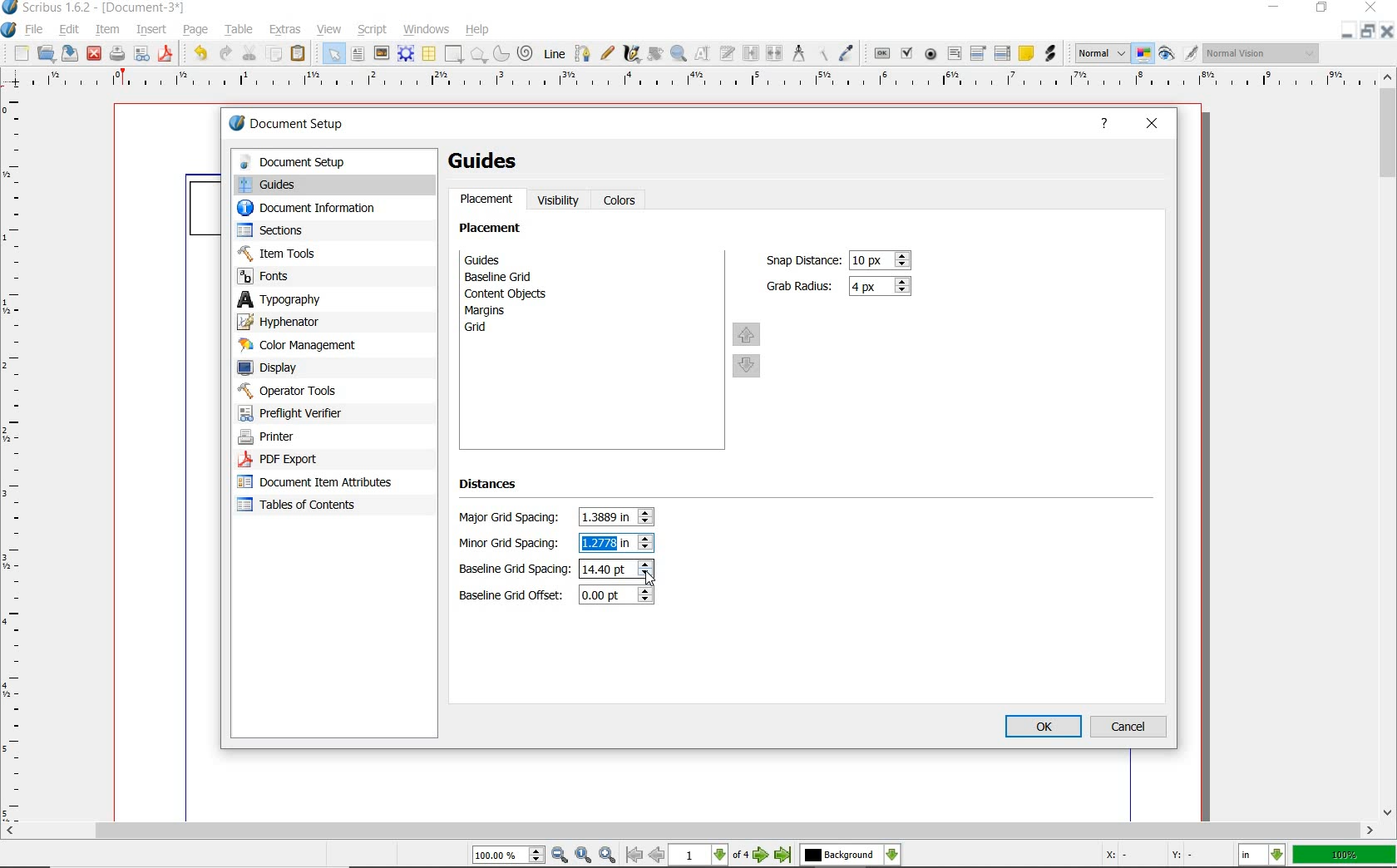 Image resolution: width=1397 pixels, height=868 pixels. I want to click on printer, so click(318, 437).